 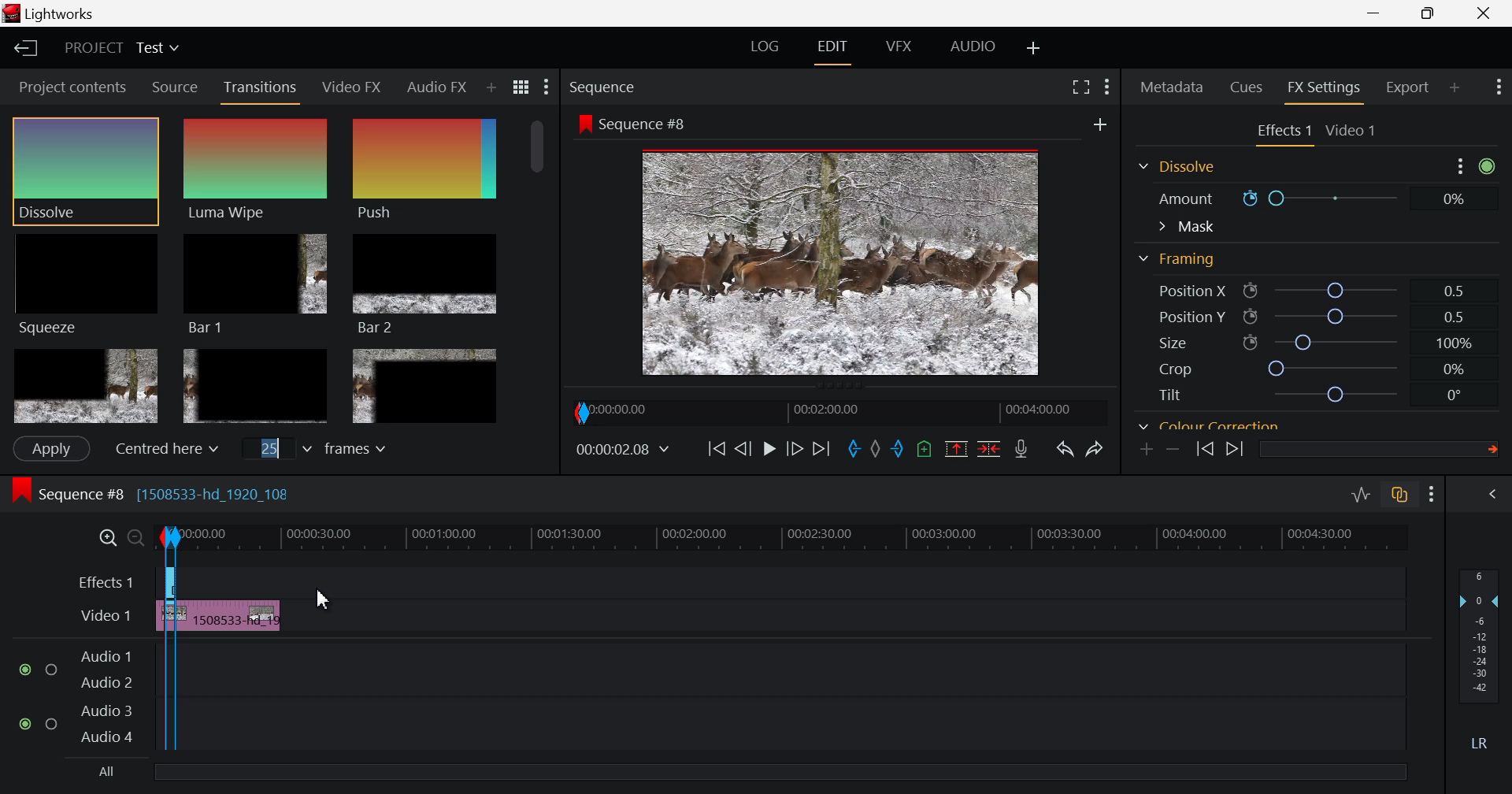 What do you see at coordinates (523, 87) in the screenshot?
I see `Toggle between list and title view` at bounding box center [523, 87].